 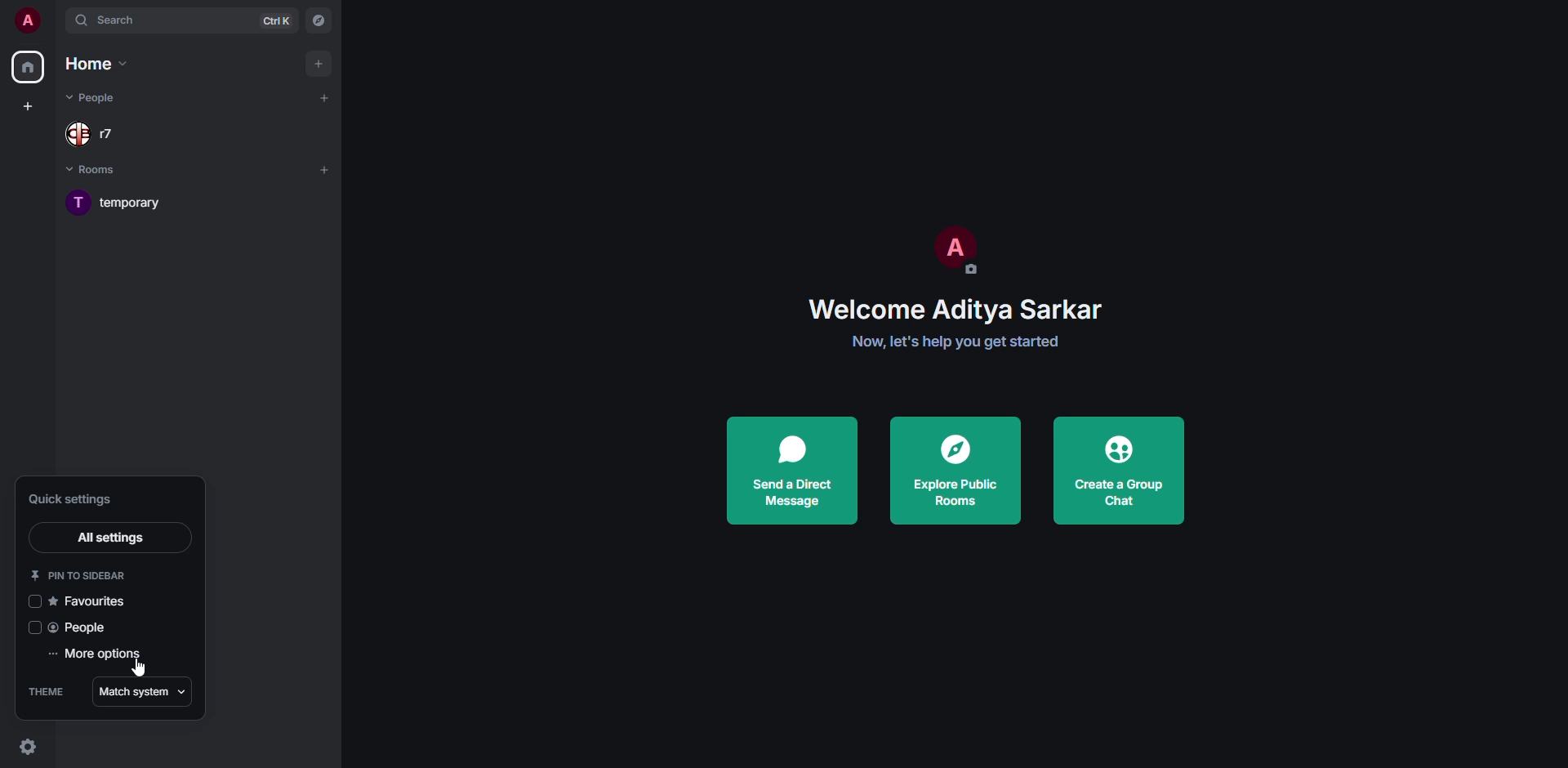 I want to click on add, so click(x=324, y=96).